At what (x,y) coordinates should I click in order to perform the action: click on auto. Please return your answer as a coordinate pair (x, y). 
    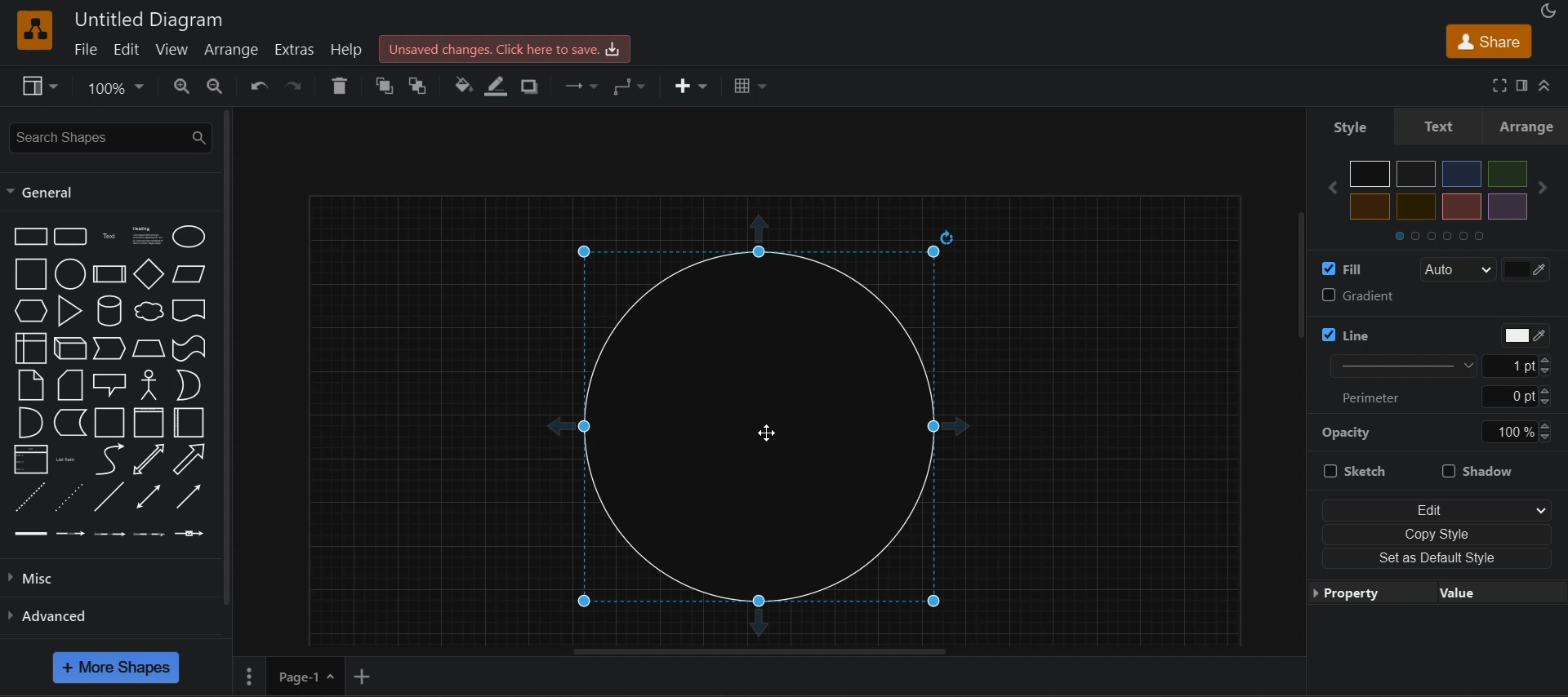
    Looking at the image, I should click on (1452, 269).